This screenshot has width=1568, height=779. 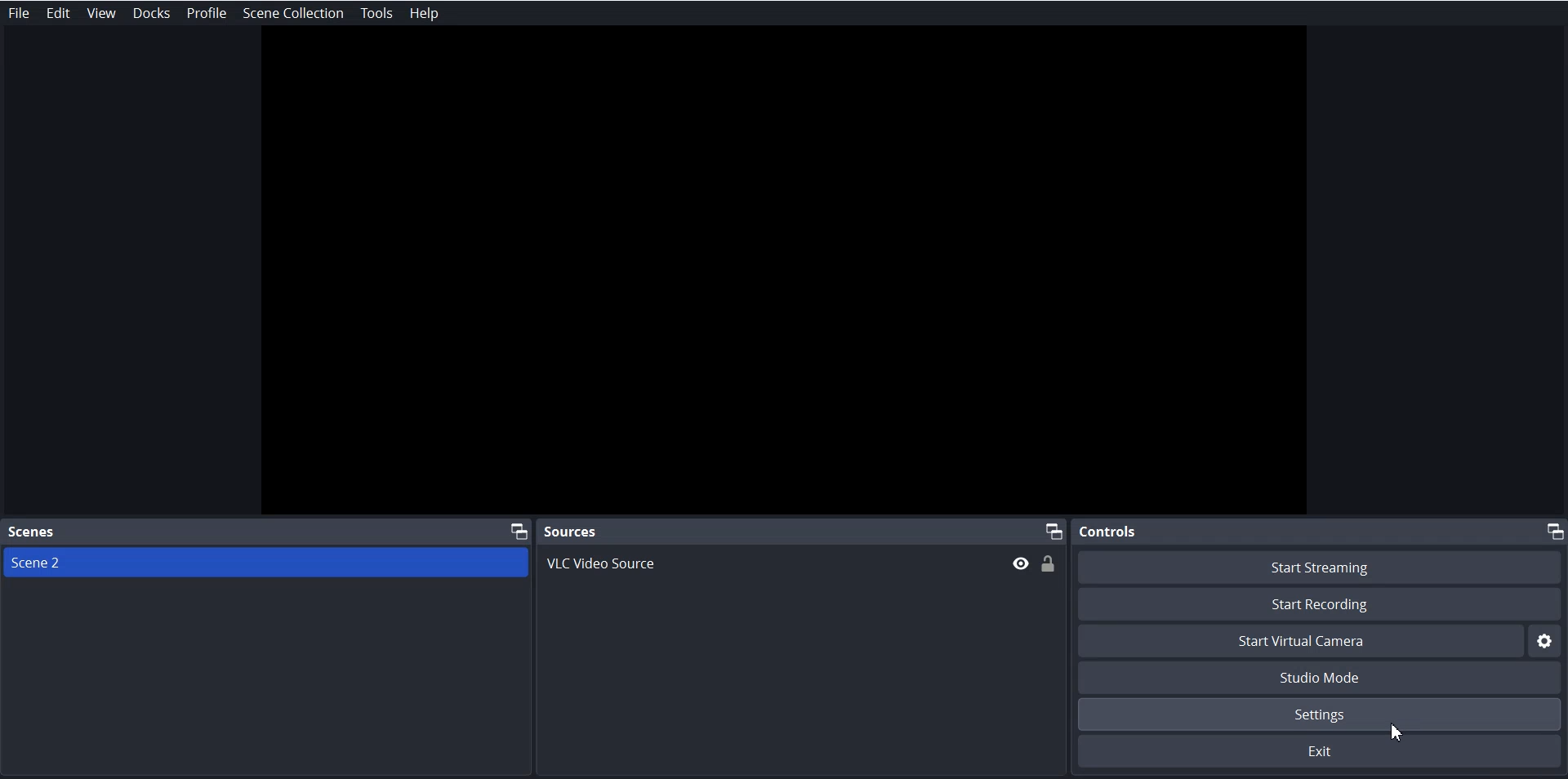 What do you see at coordinates (1299, 641) in the screenshot?
I see `Start Virtual Camera` at bounding box center [1299, 641].